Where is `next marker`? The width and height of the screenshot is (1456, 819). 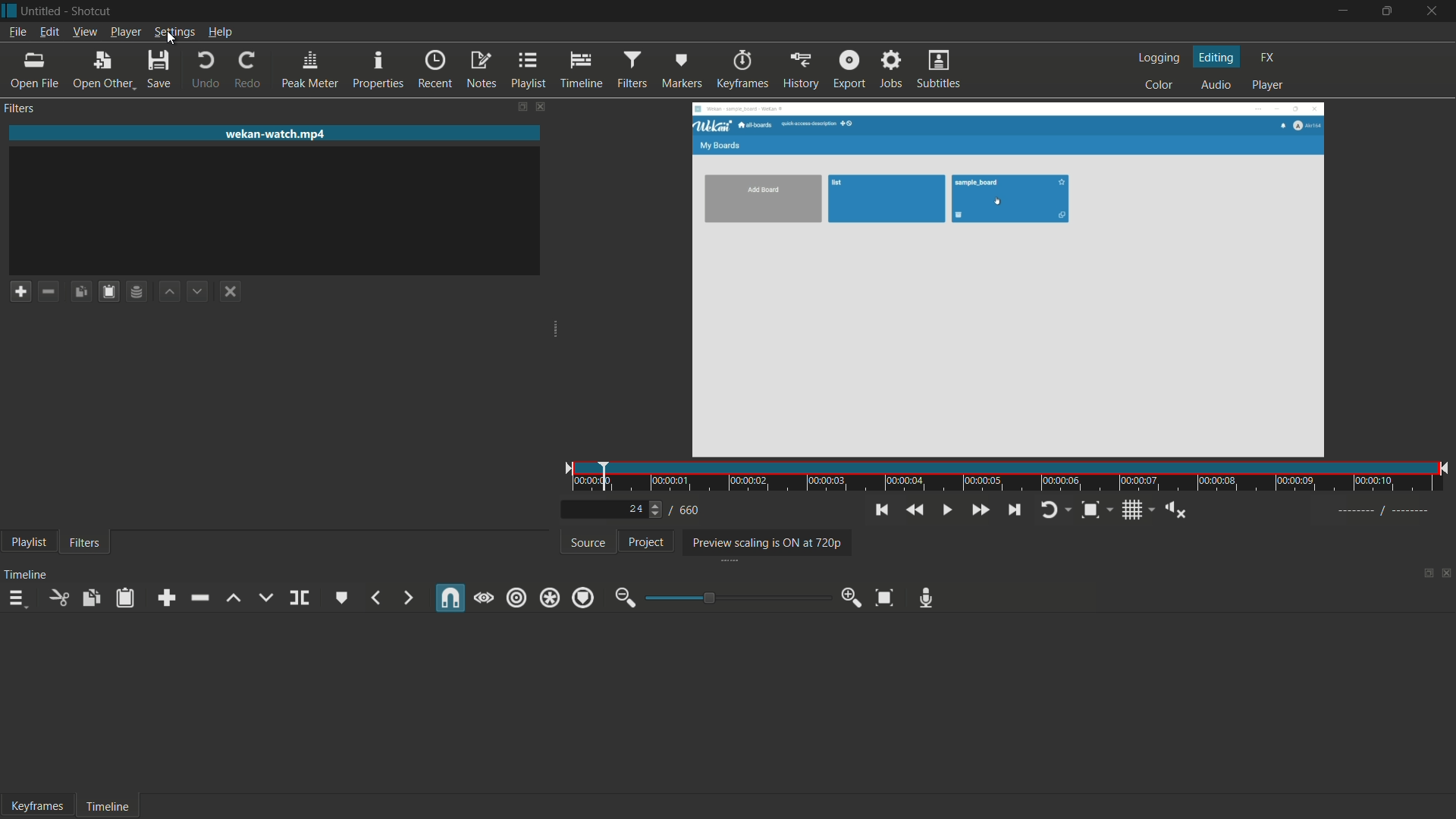
next marker is located at coordinates (407, 597).